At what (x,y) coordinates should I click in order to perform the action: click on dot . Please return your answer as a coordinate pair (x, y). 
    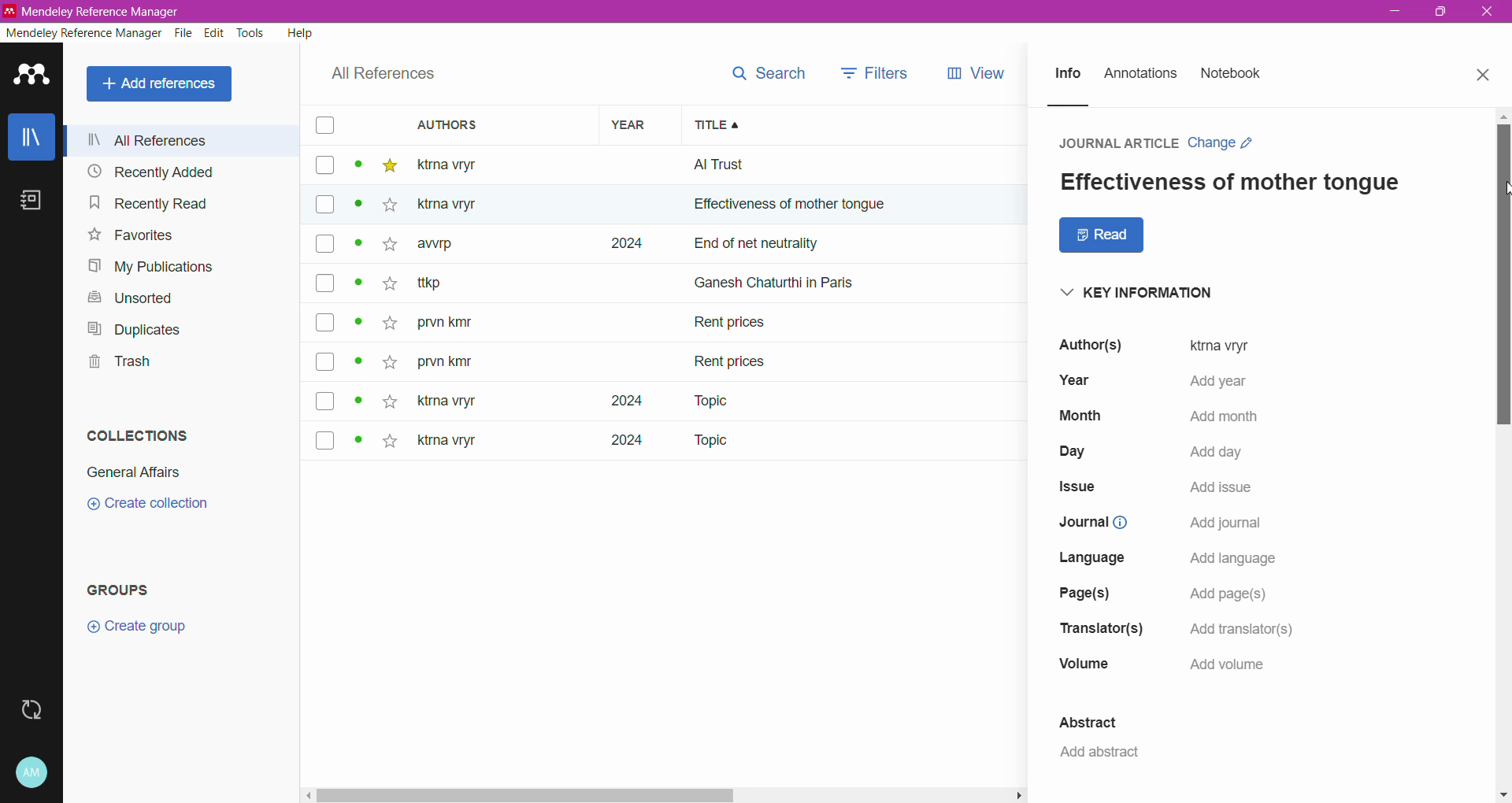
    Looking at the image, I should click on (354, 209).